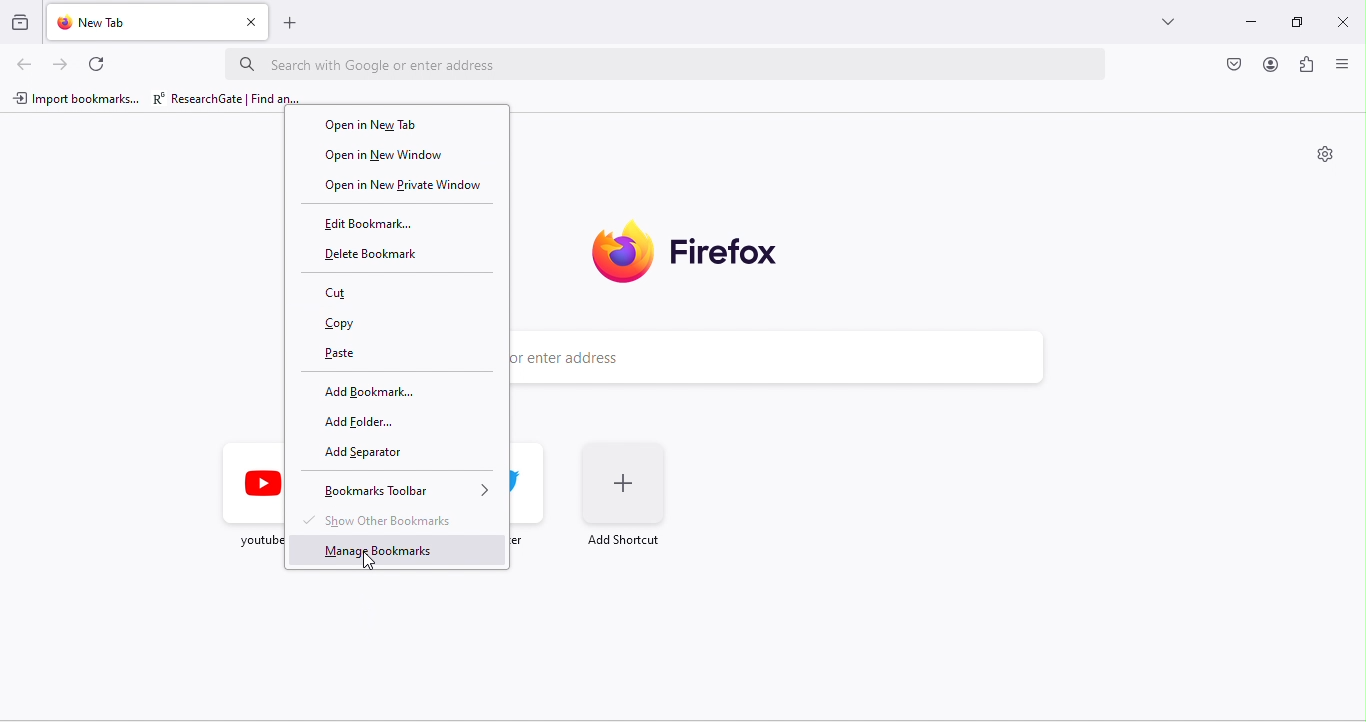 This screenshot has width=1366, height=722. What do you see at coordinates (403, 492) in the screenshot?
I see `bookmarks toolbar` at bounding box center [403, 492].